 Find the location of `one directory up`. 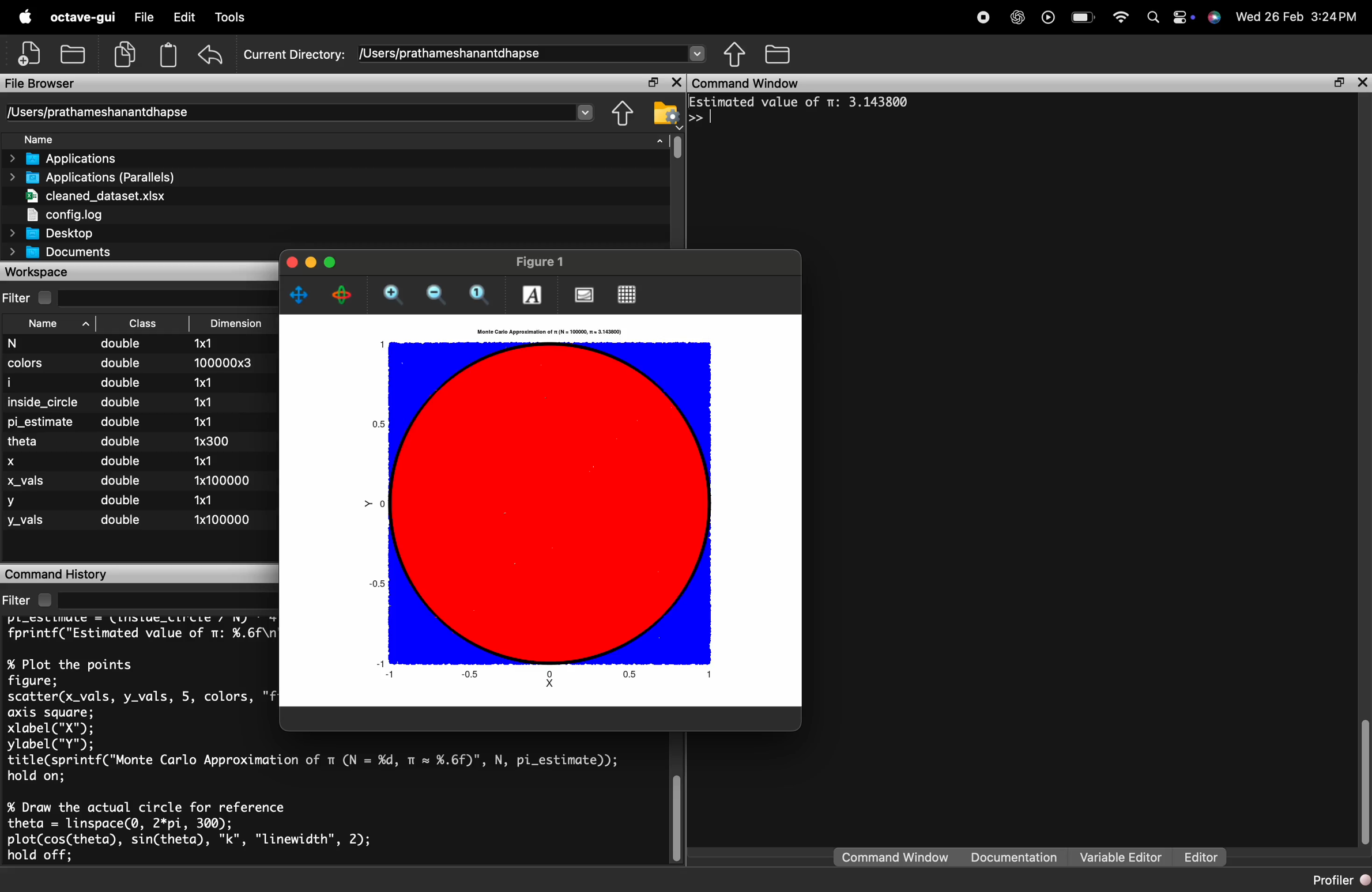

one directory up is located at coordinates (622, 113).